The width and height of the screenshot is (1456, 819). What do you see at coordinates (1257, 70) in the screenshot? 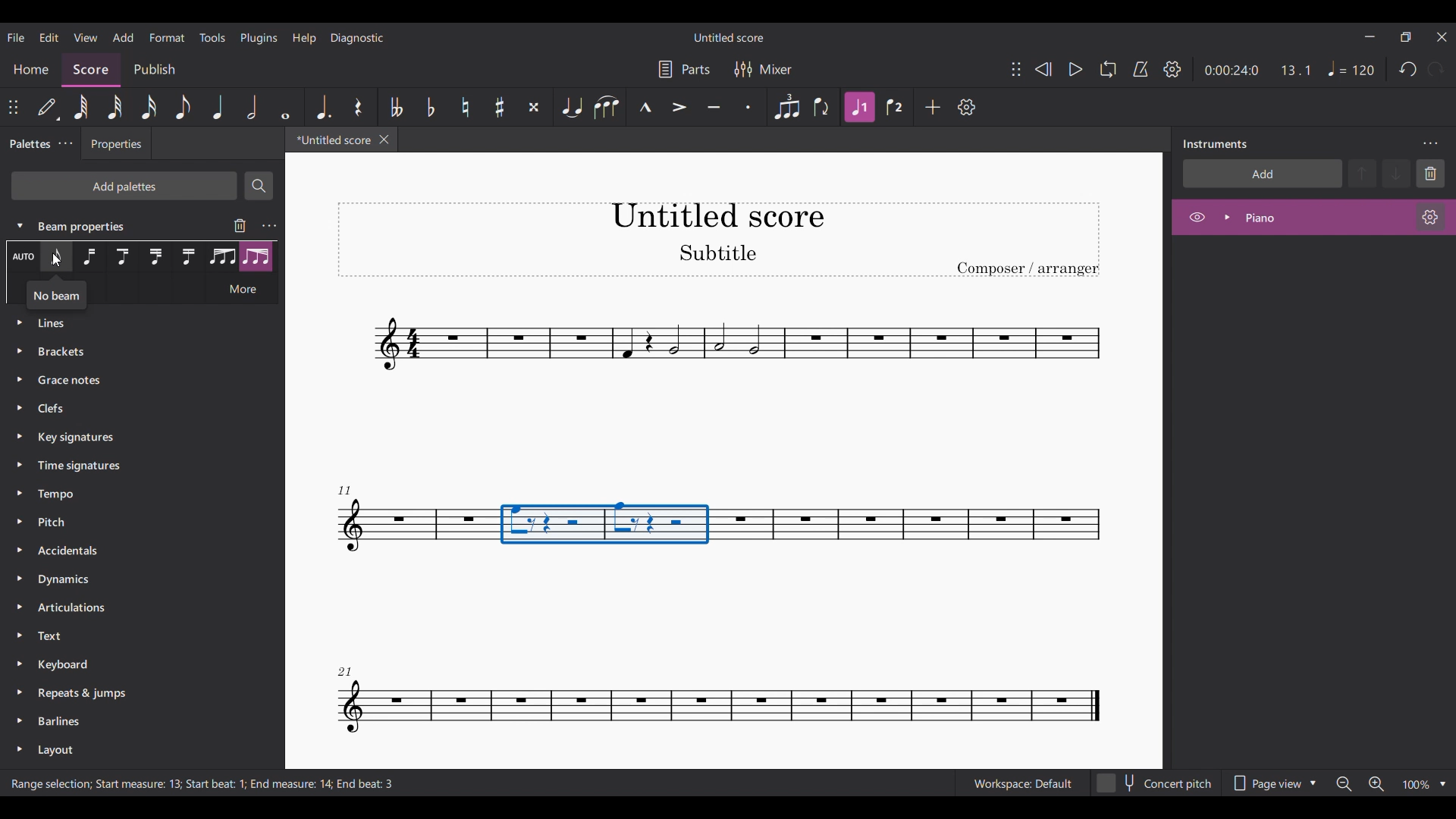
I see `Current duration and ratio changed` at bounding box center [1257, 70].